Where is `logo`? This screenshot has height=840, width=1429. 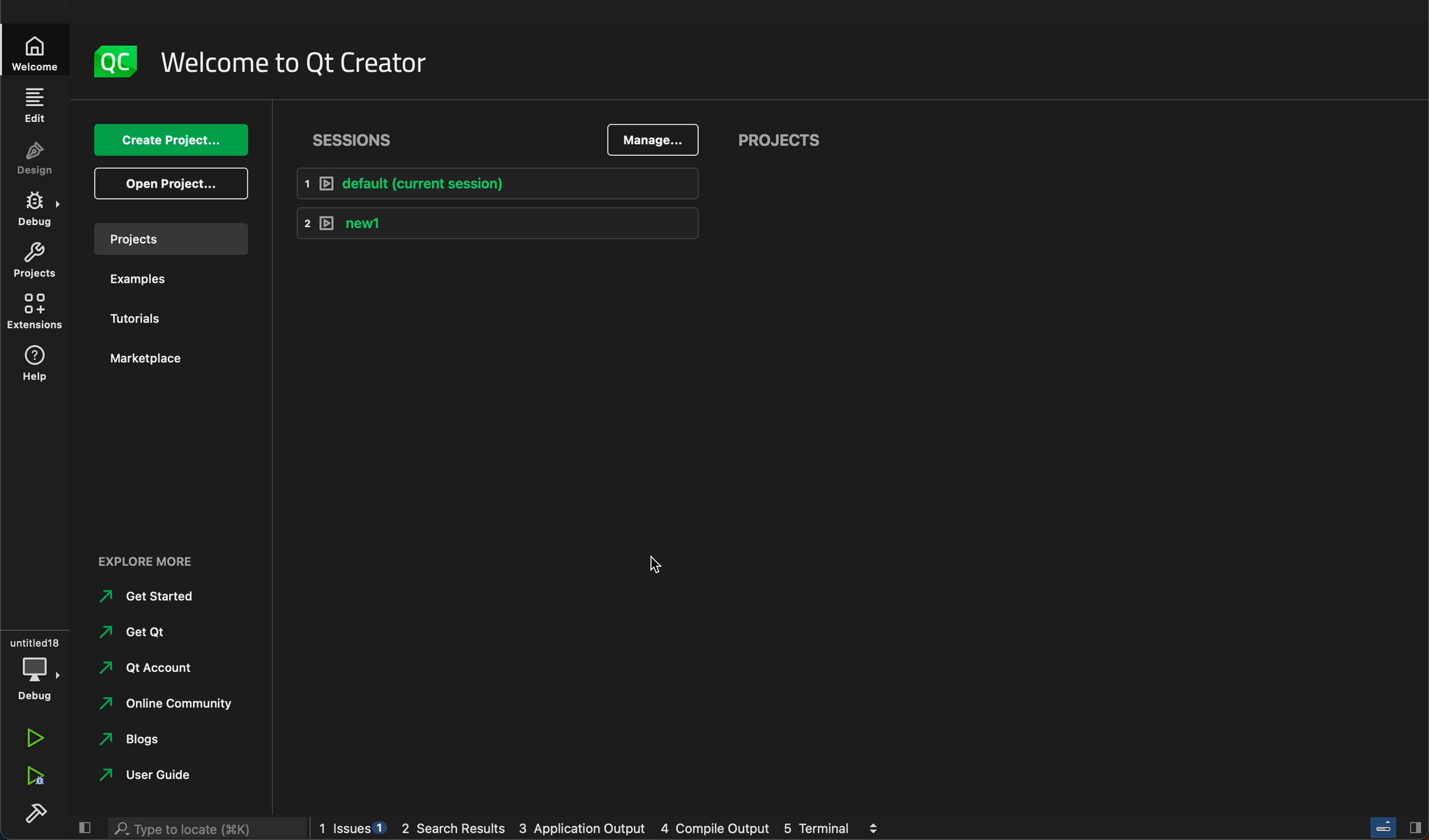
logo is located at coordinates (117, 62).